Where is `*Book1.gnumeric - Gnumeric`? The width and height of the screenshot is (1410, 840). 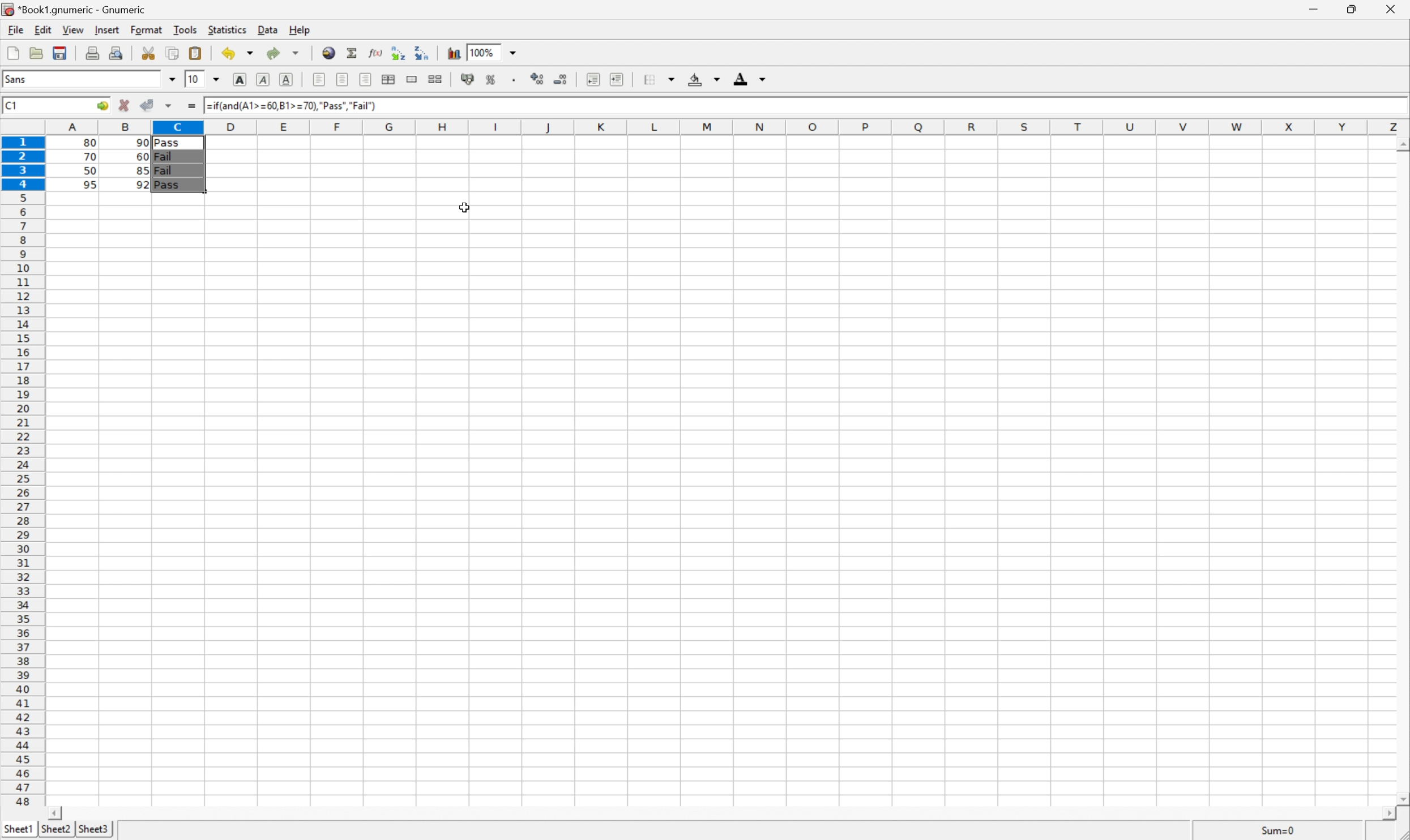
*Book1.gnumeric - Gnumeric is located at coordinates (72, 9).